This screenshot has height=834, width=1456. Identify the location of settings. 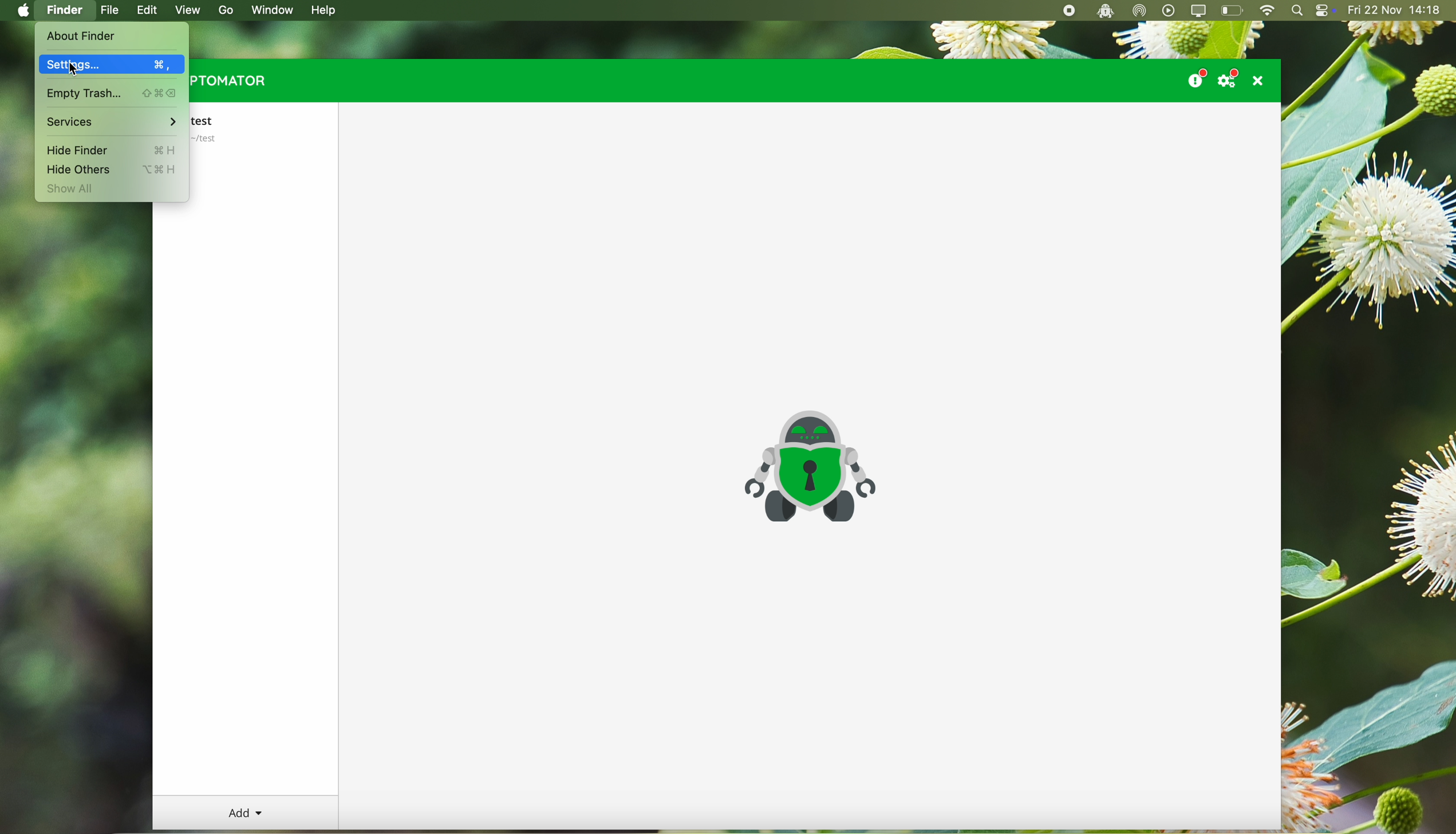
(1231, 78).